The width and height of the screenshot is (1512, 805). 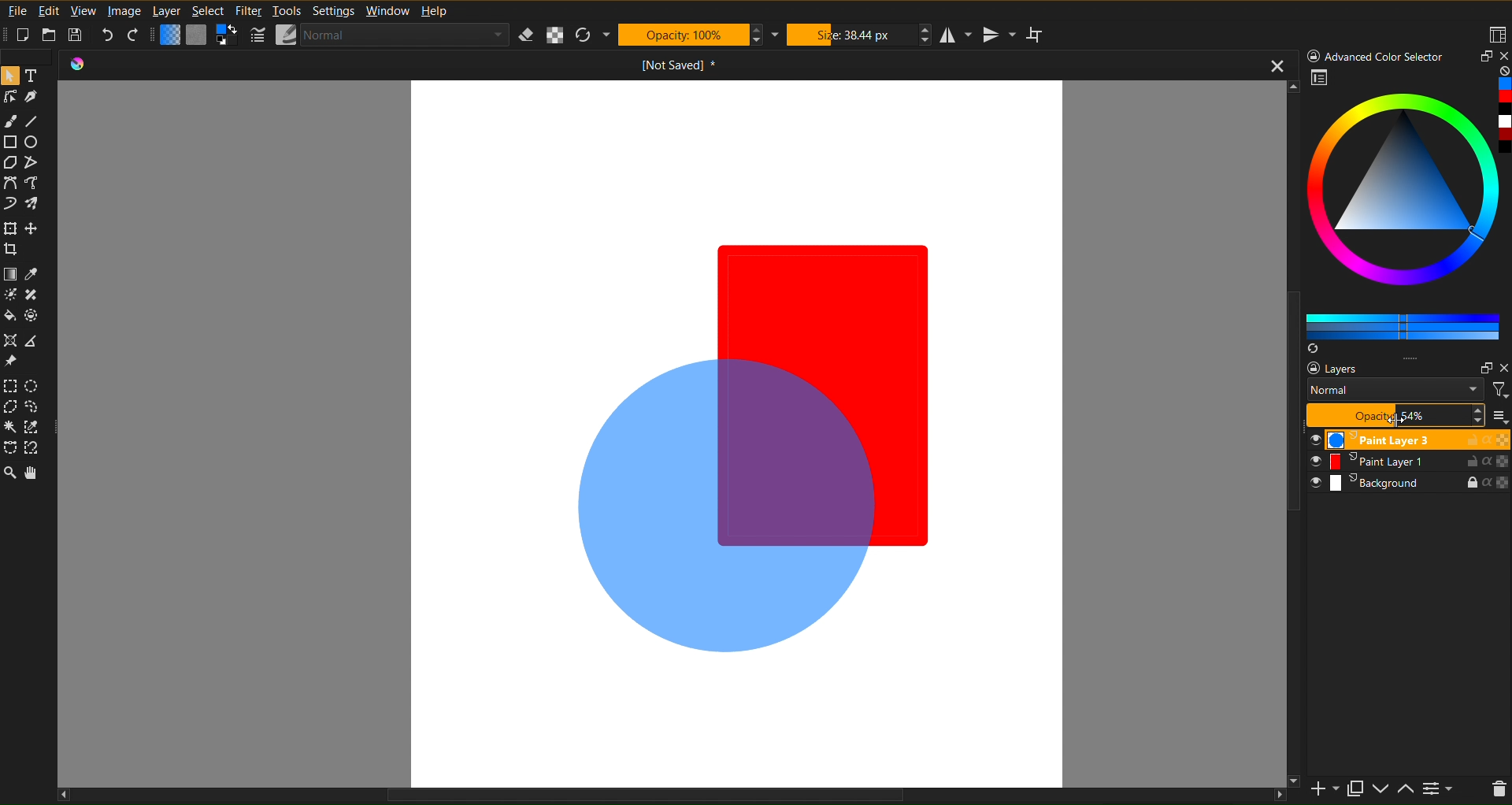 What do you see at coordinates (37, 184) in the screenshot?
I see `Curve Tool` at bounding box center [37, 184].